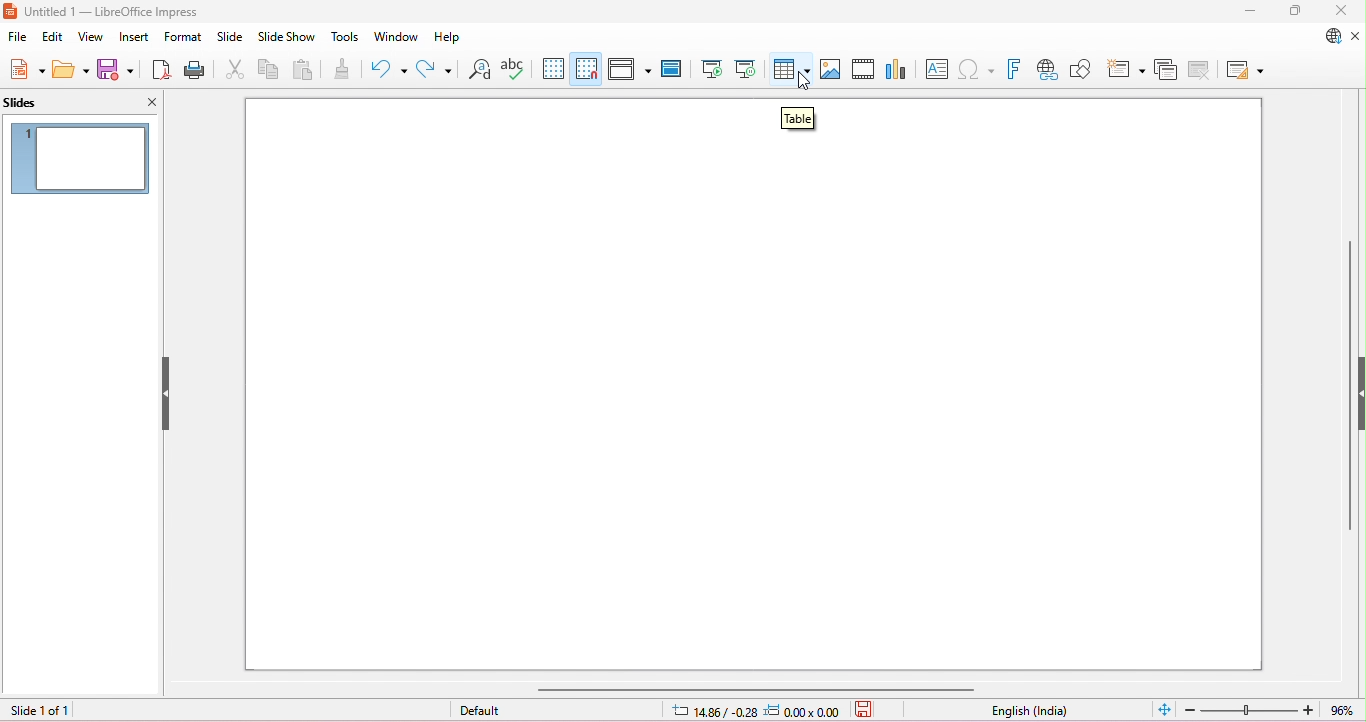  Describe the element at coordinates (93, 37) in the screenshot. I see `view` at that location.